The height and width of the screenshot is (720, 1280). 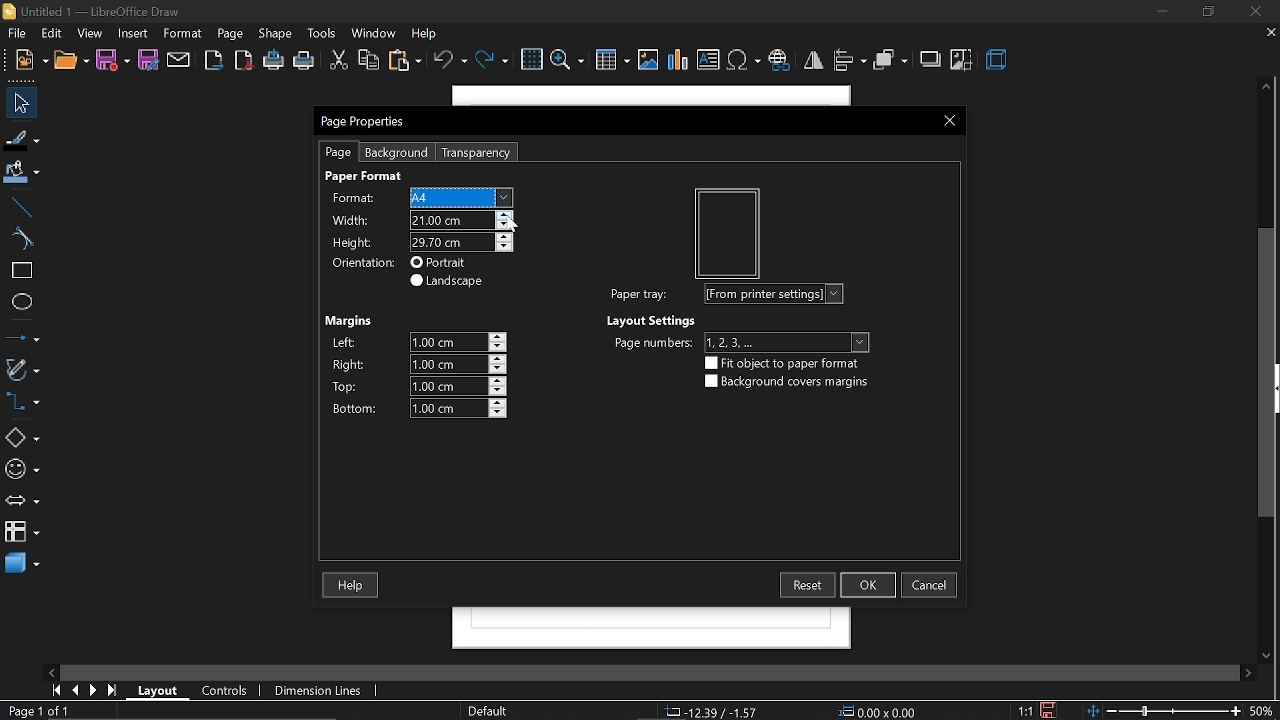 What do you see at coordinates (77, 691) in the screenshot?
I see `previous page` at bounding box center [77, 691].